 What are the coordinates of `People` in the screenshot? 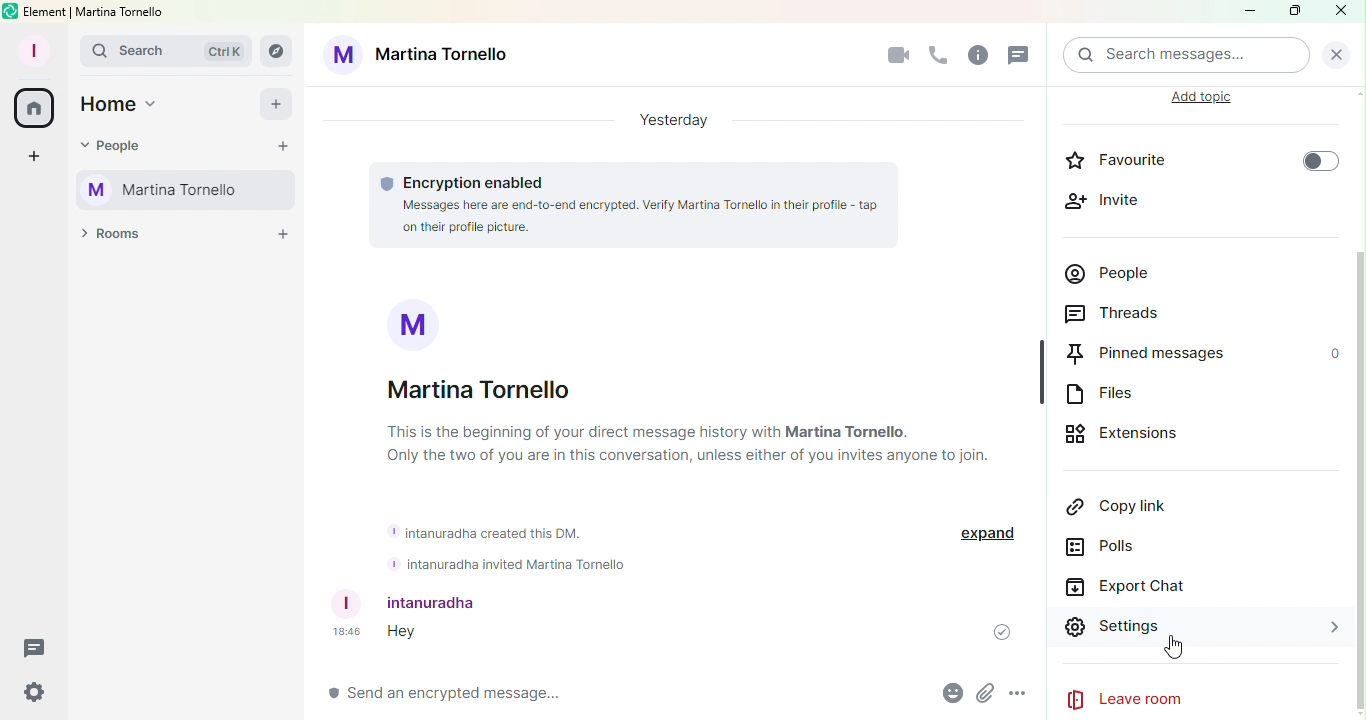 It's located at (1148, 272).